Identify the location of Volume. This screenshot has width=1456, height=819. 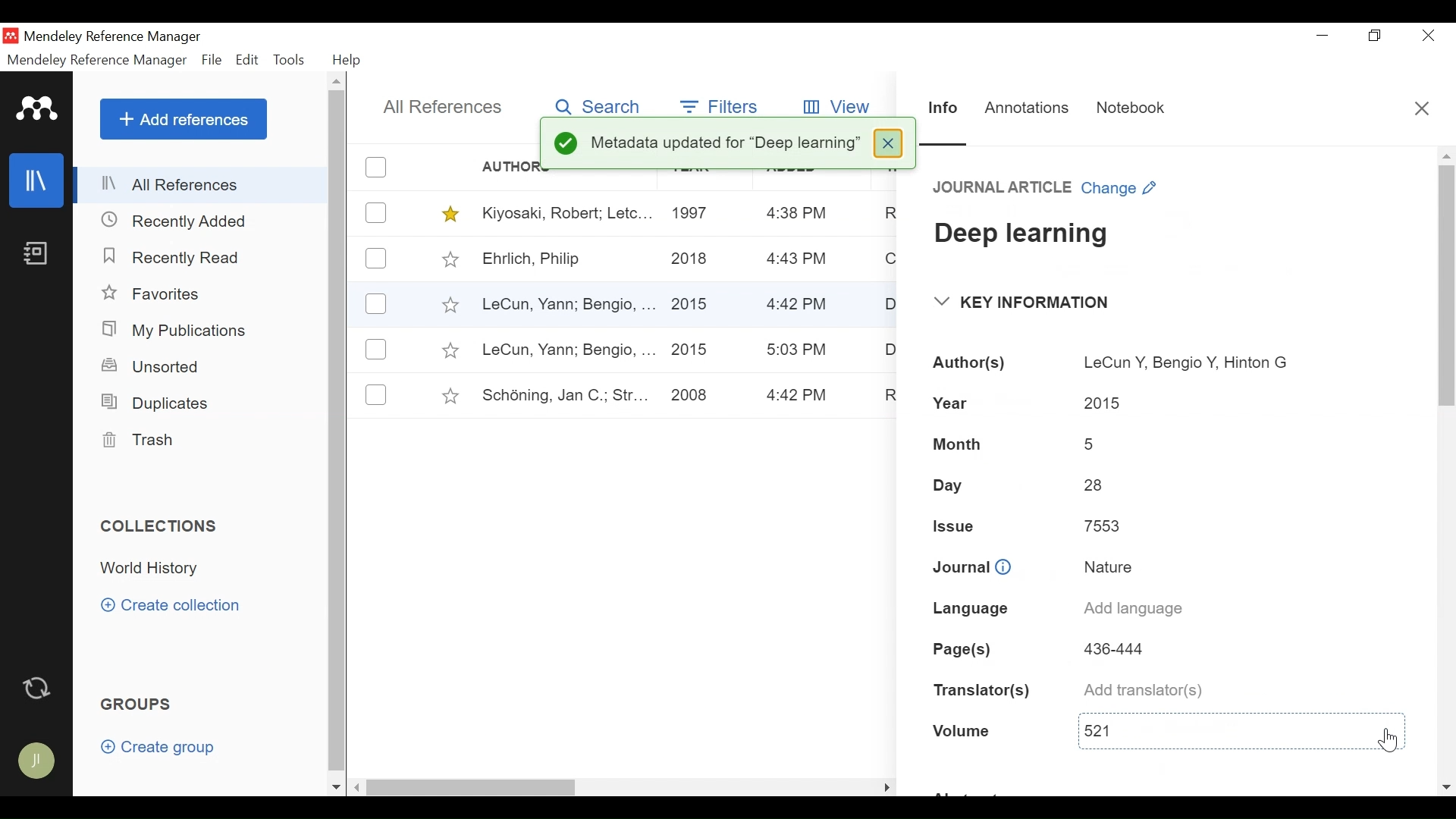
(961, 733).